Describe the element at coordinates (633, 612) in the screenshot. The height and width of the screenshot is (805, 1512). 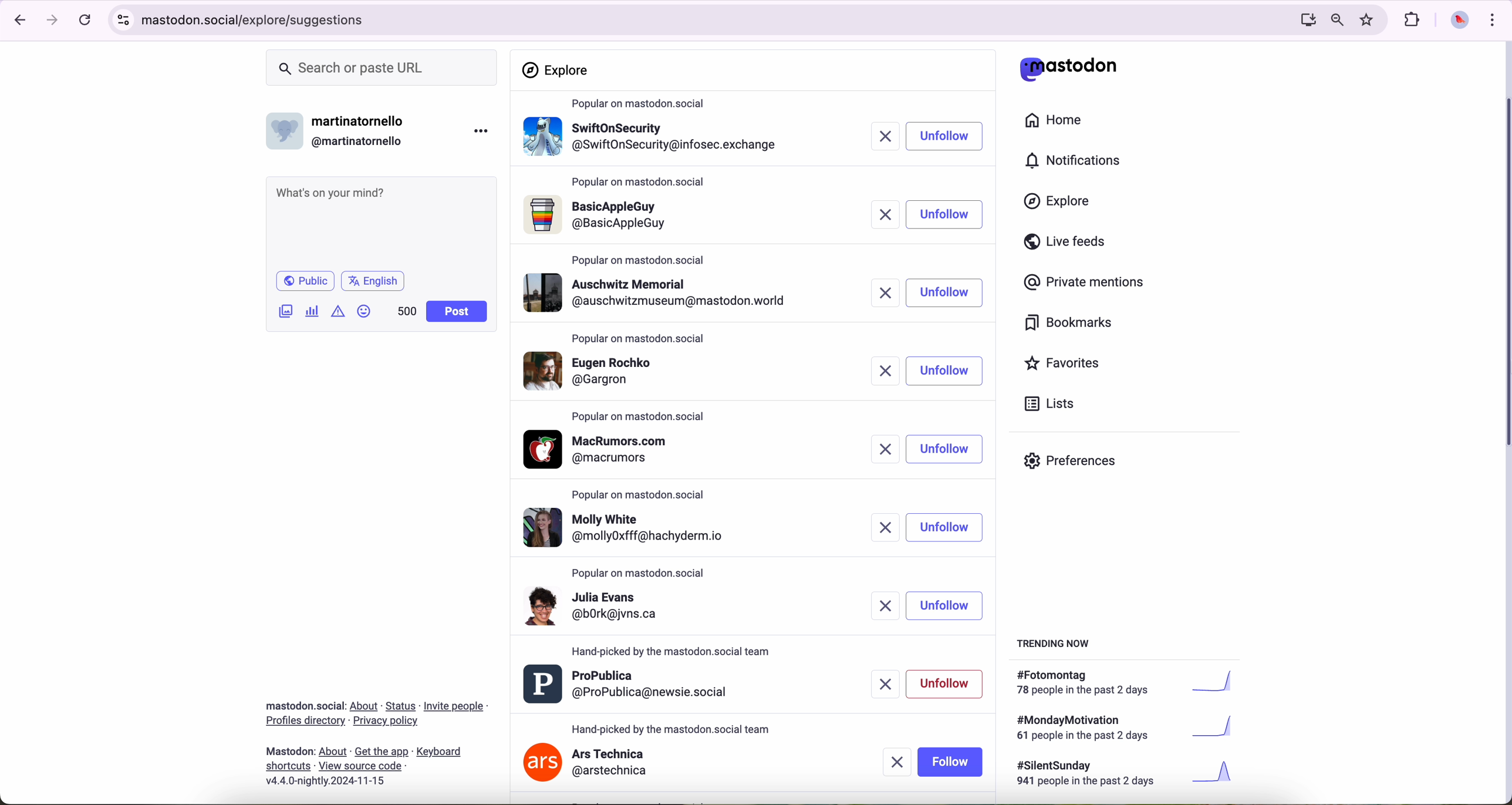
I see `profile` at that location.